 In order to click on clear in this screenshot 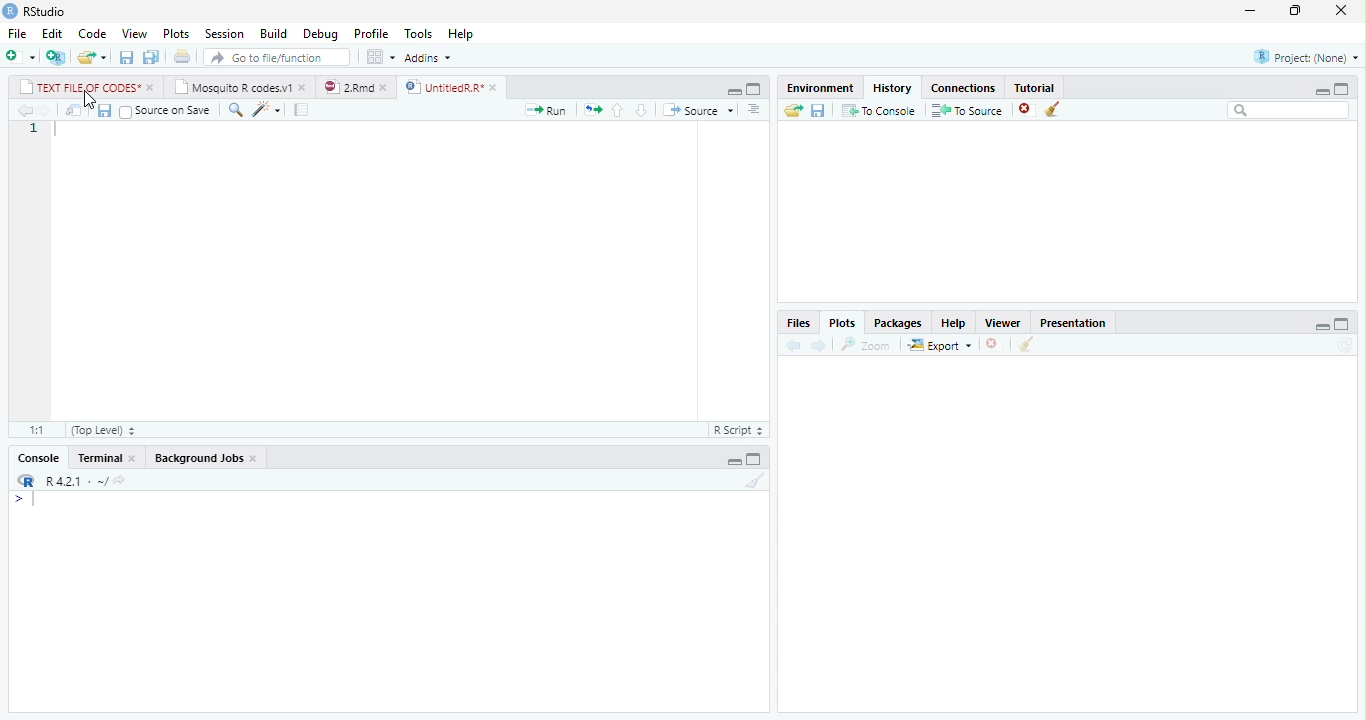, I will do `click(1053, 109)`.